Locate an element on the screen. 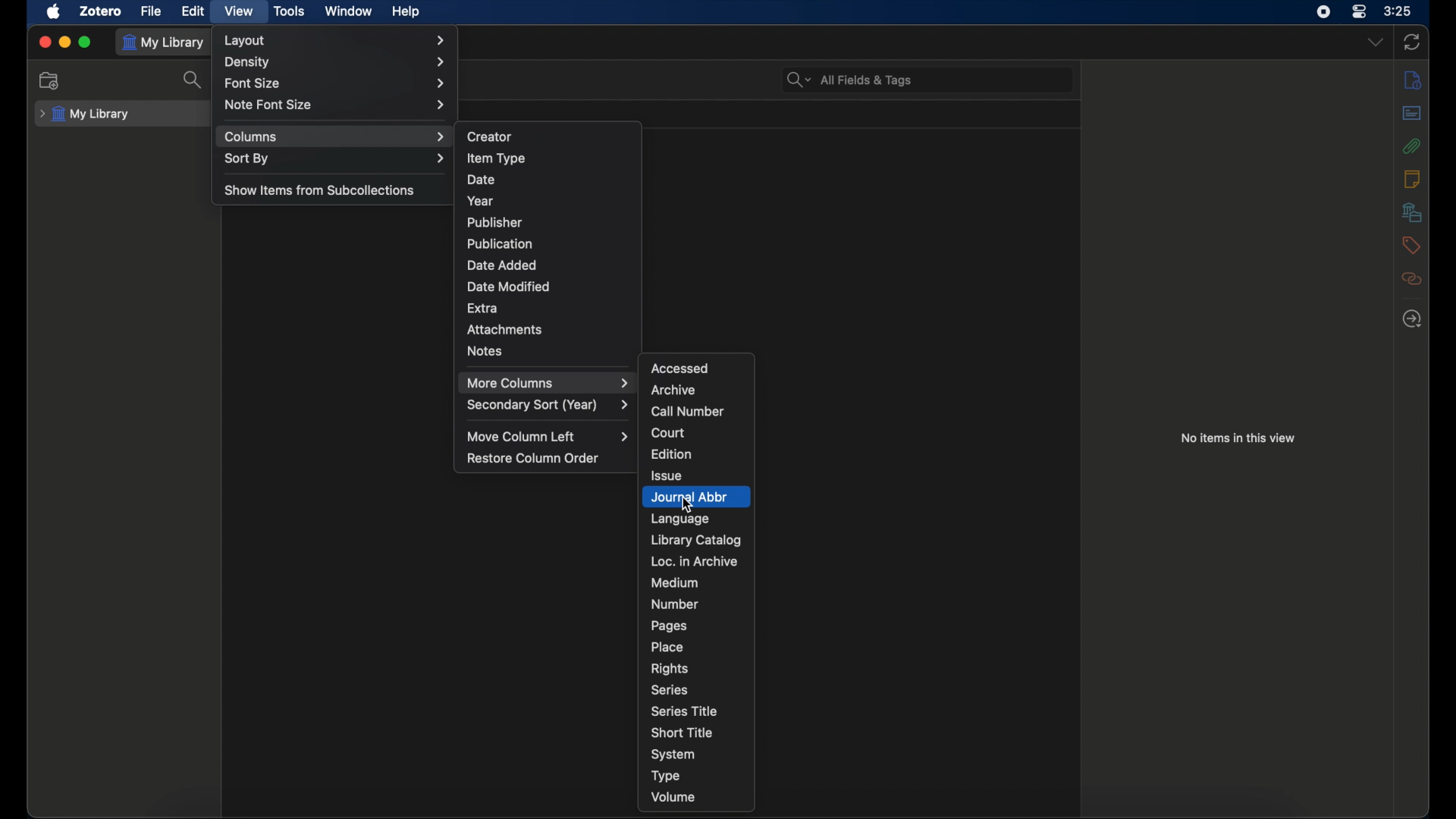 The width and height of the screenshot is (1456, 819). move column left is located at coordinates (548, 436).